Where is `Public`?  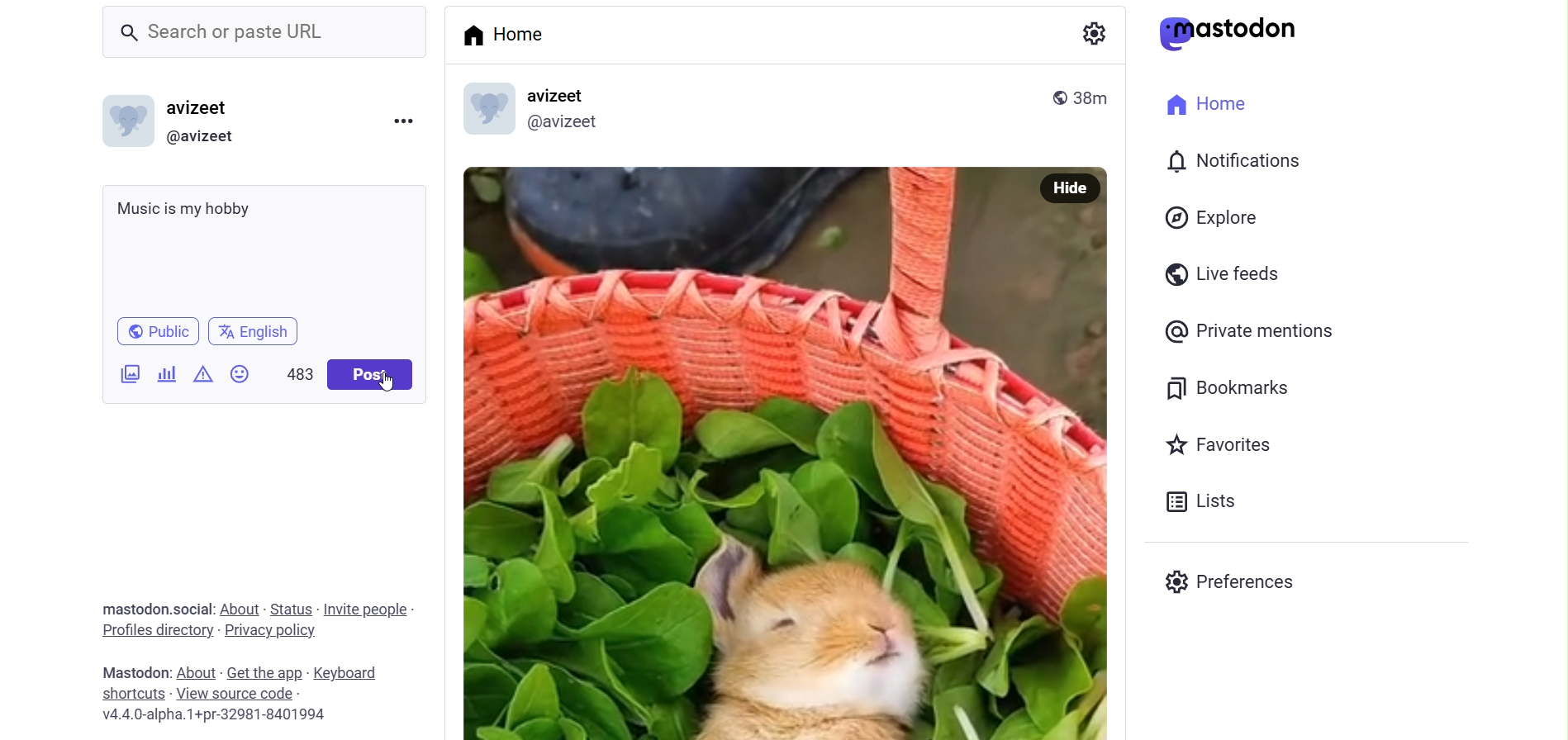 Public is located at coordinates (160, 330).